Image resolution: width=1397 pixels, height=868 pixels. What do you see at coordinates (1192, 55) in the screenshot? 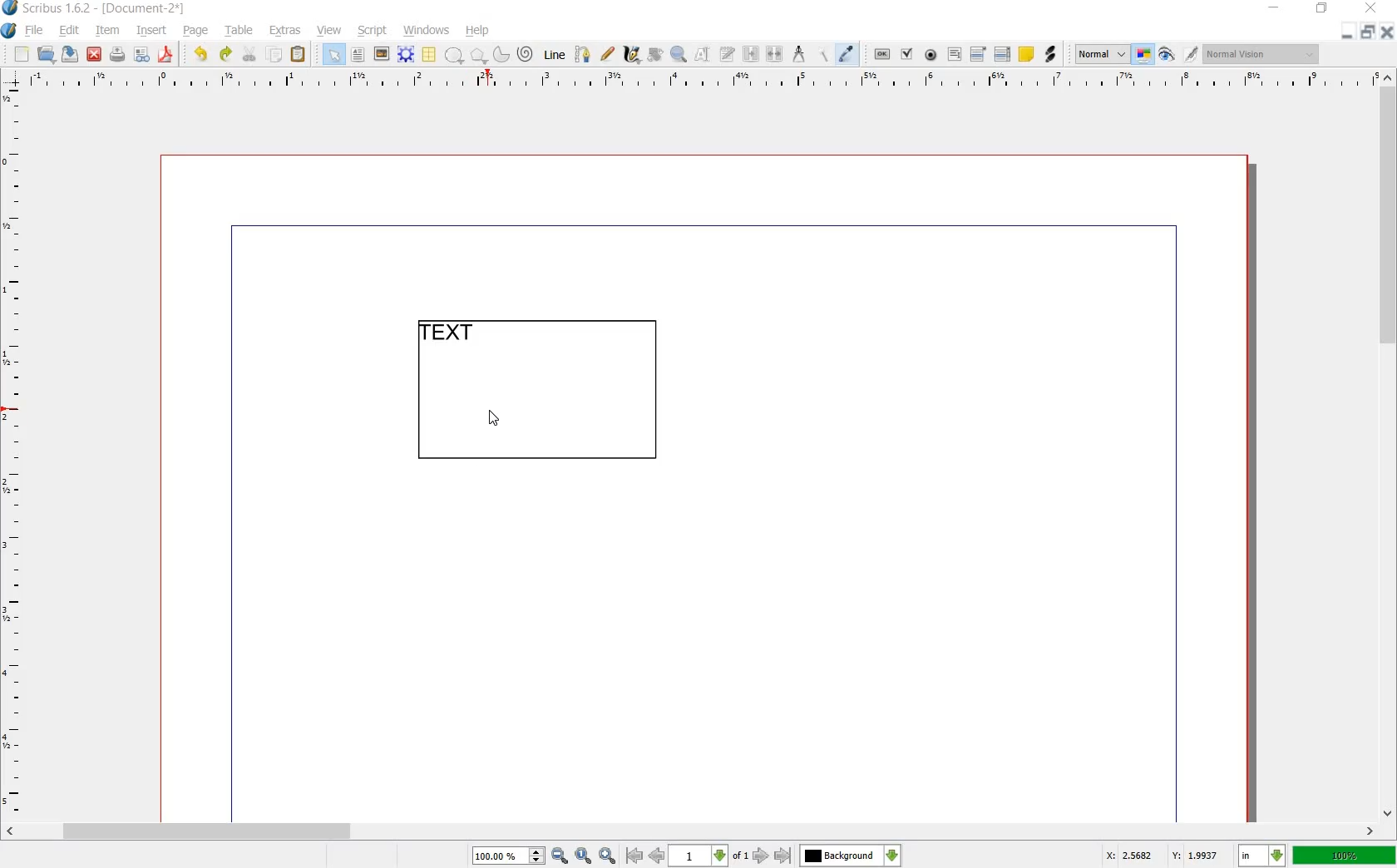
I see `edit in preview mode` at bounding box center [1192, 55].